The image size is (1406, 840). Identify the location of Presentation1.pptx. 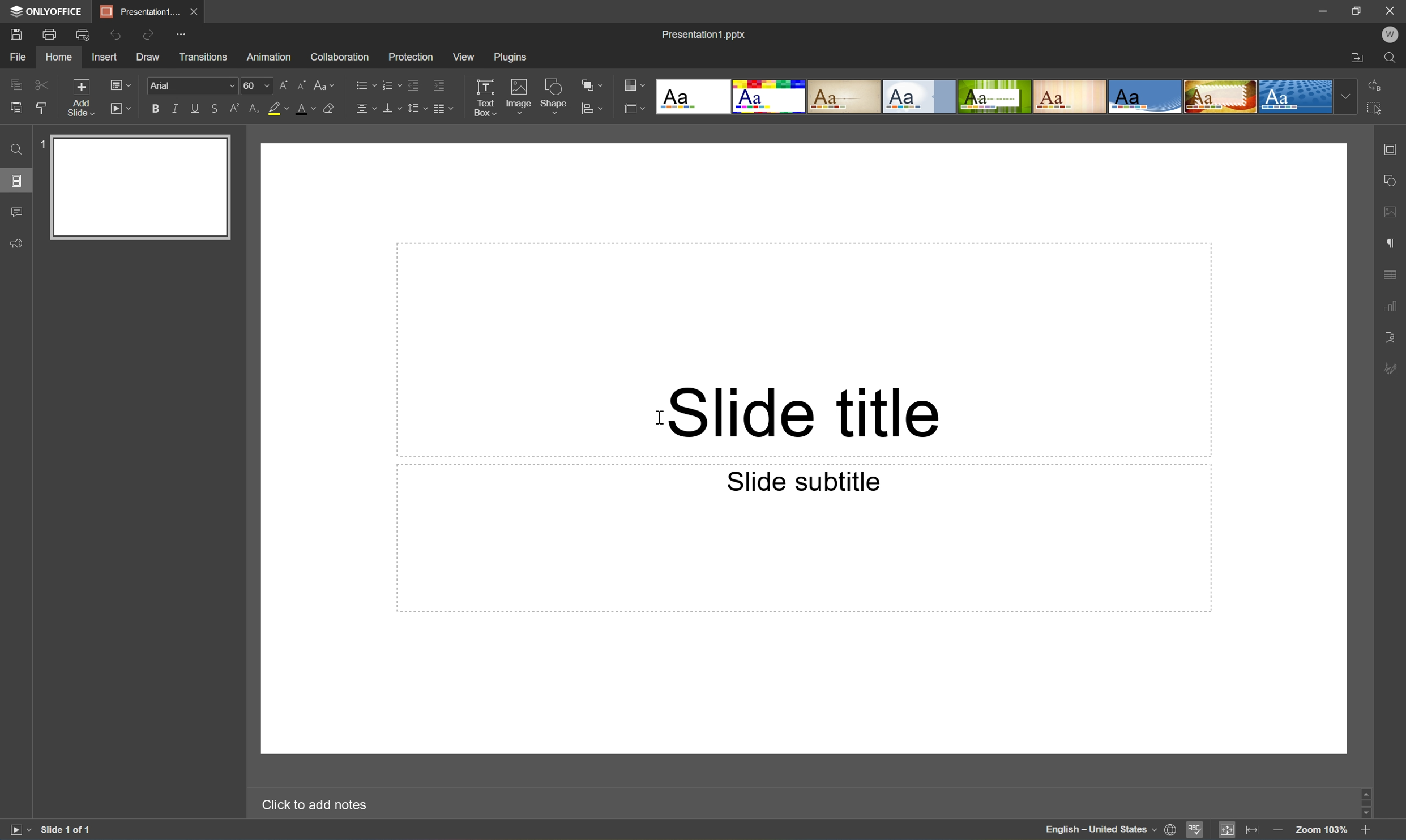
(706, 36).